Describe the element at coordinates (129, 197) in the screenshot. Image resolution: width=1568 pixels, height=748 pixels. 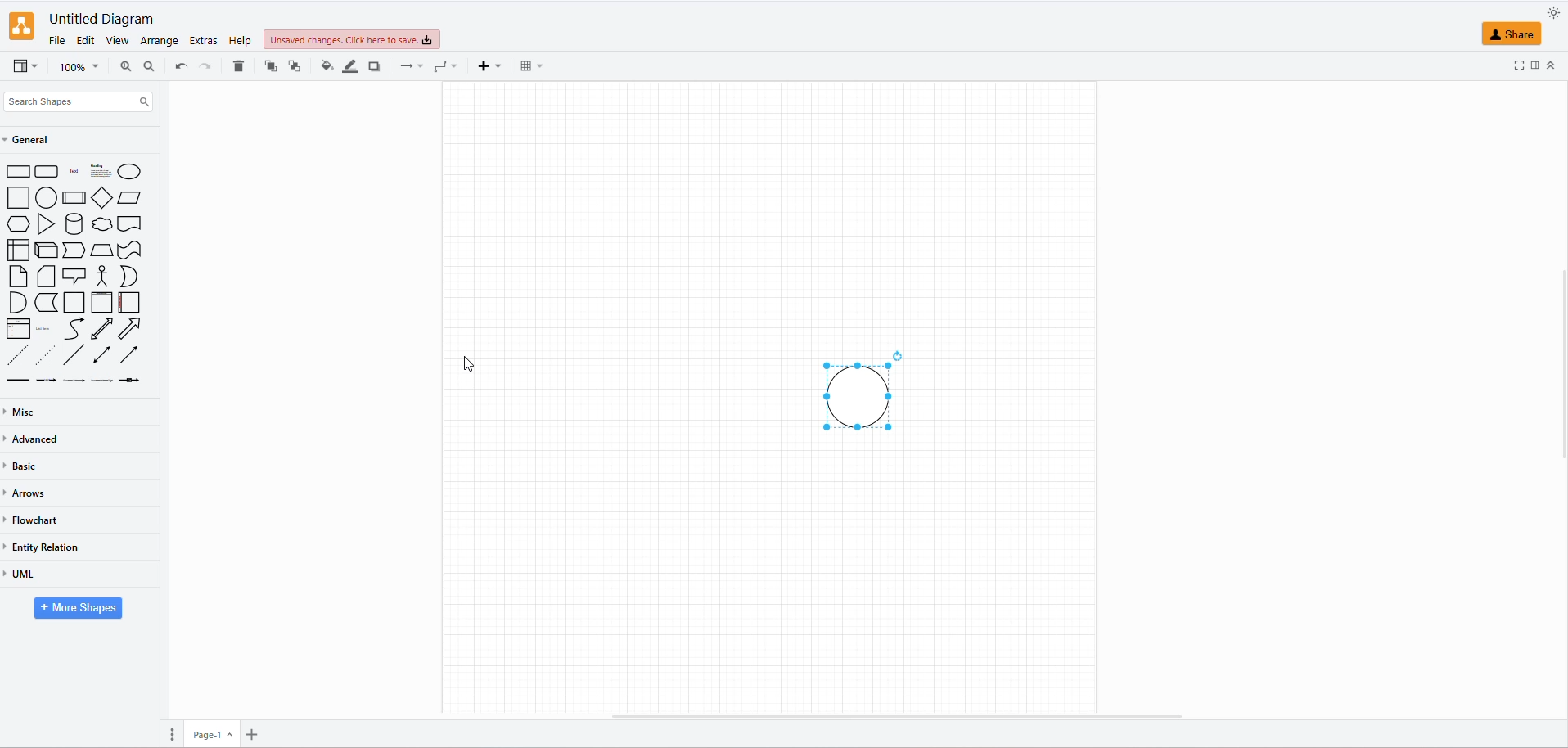
I see `PARALLELOGRAM` at that location.